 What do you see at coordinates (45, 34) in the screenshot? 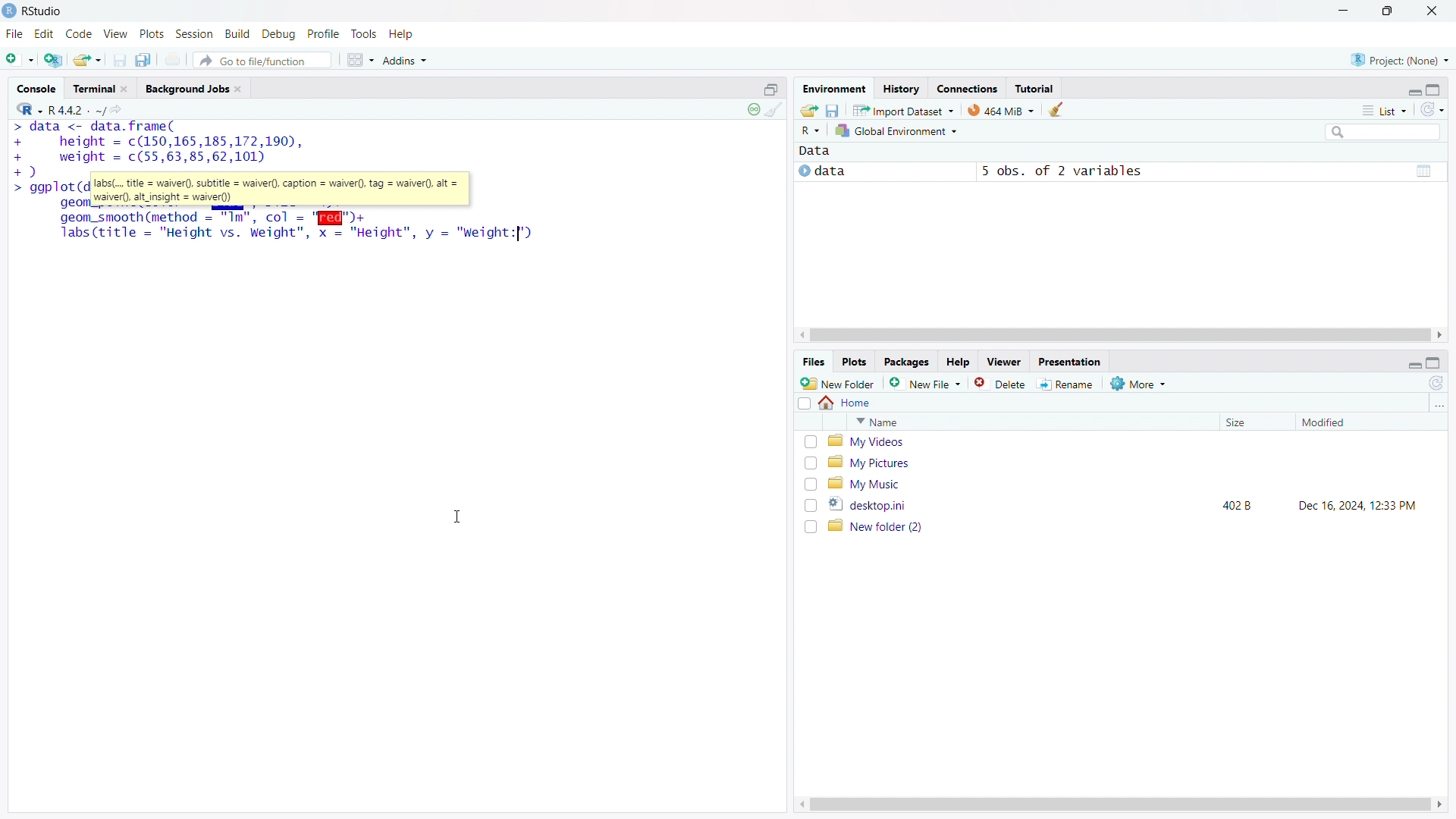
I see `edit` at bounding box center [45, 34].